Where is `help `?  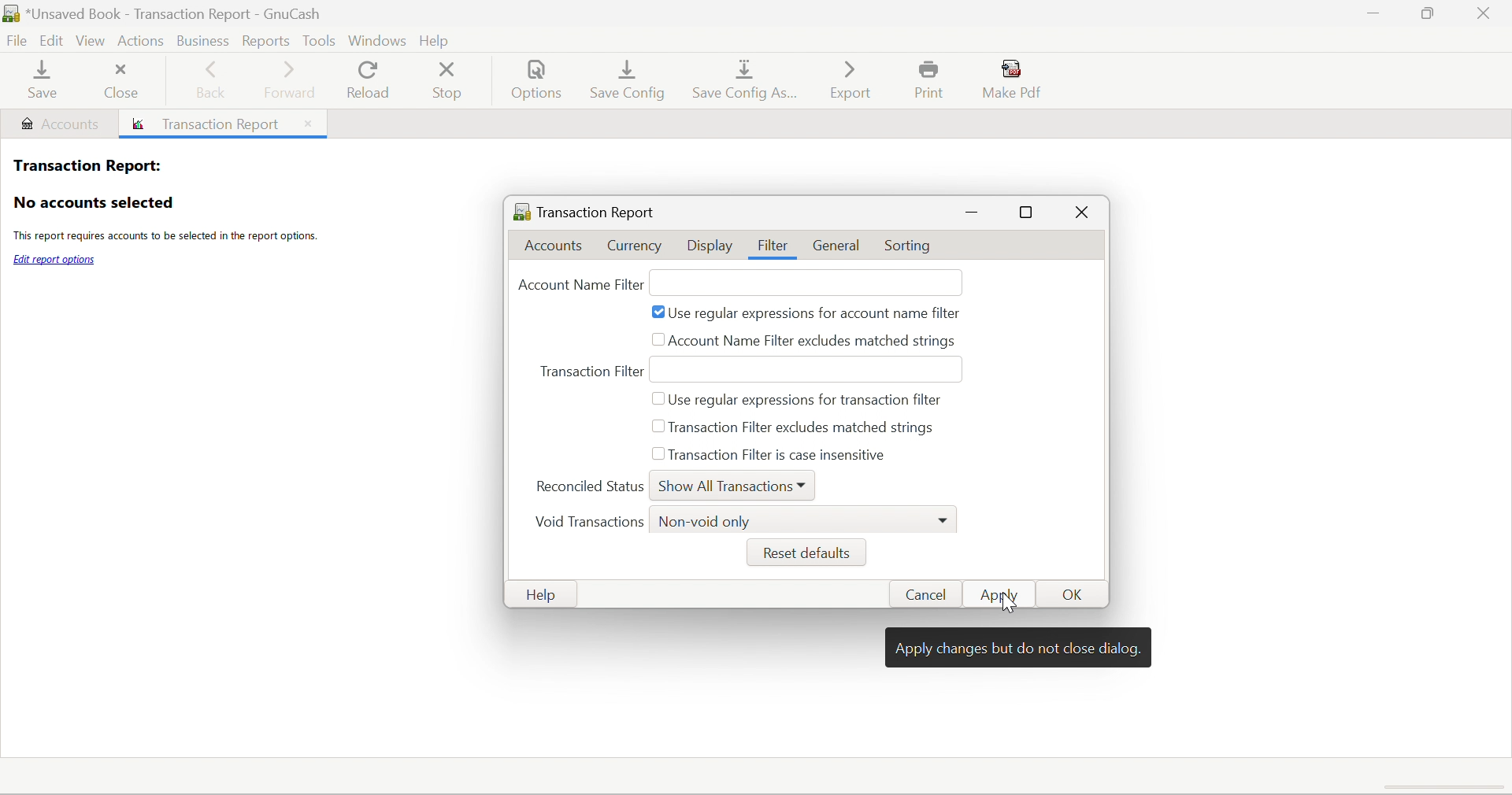
help  is located at coordinates (439, 38).